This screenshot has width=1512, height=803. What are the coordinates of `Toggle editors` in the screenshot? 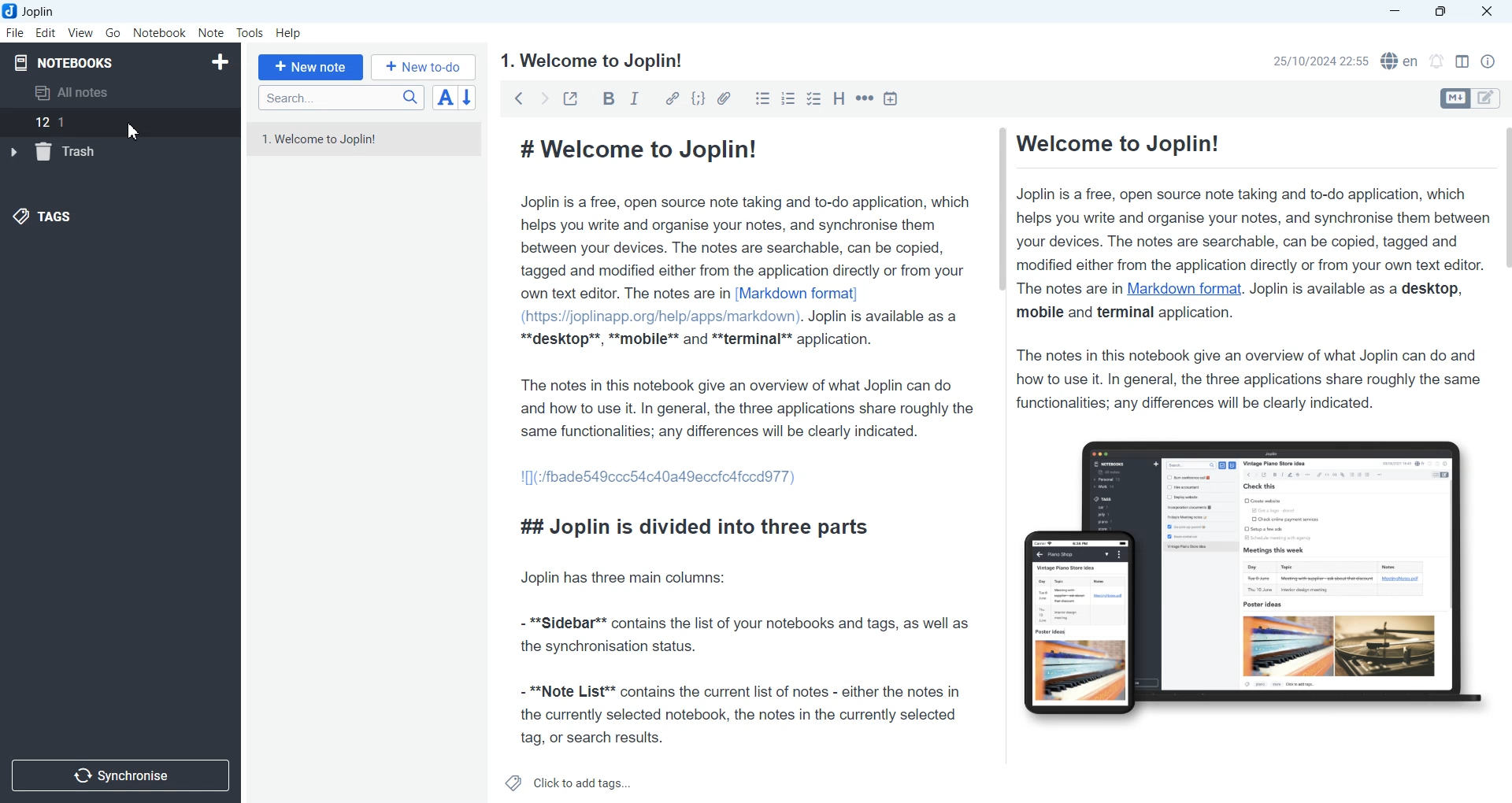 It's located at (1455, 99).